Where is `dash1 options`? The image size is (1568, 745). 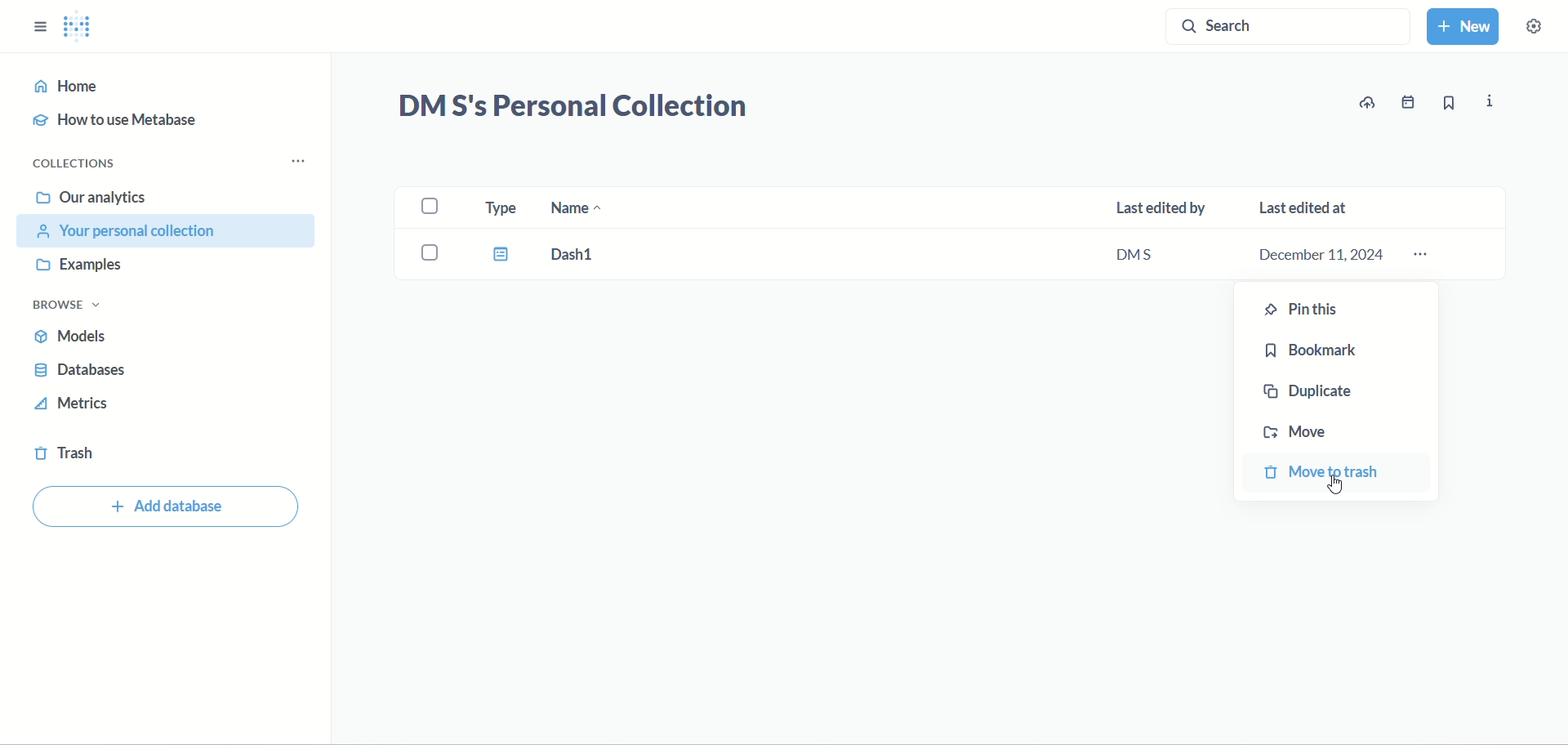
dash1 options is located at coordinates (1422, 255).